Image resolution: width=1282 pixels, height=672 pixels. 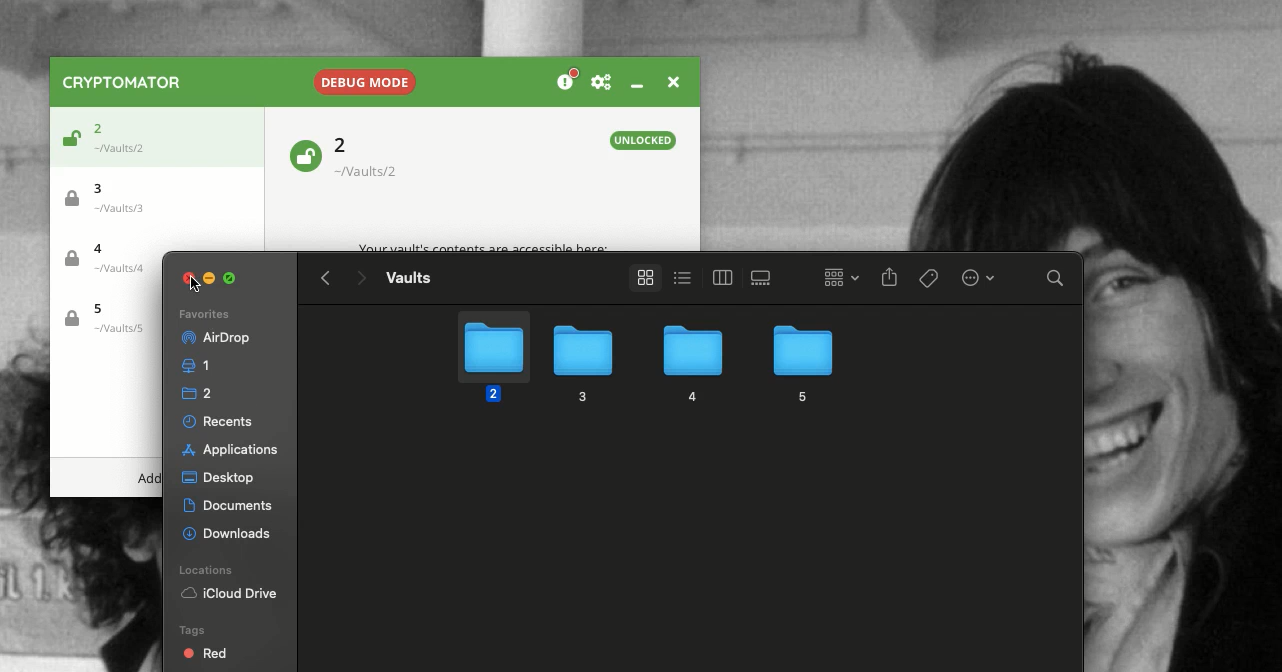 What do you see at coordinates (489, 359) in the screenshot?
I see `` at bounding box center [489, 359].